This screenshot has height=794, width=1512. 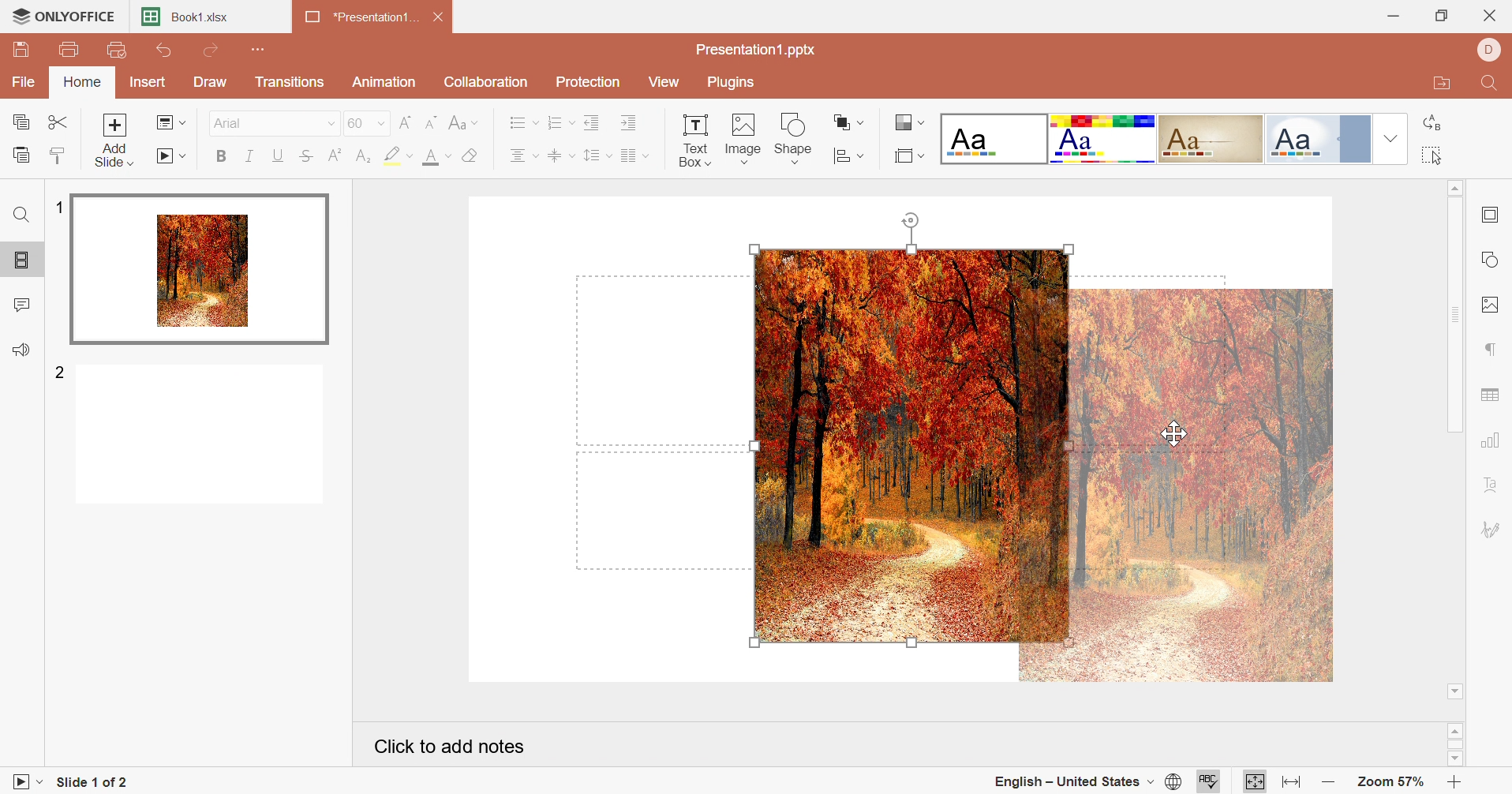 I want to click on Line spacing, so click(x=591, y=158).